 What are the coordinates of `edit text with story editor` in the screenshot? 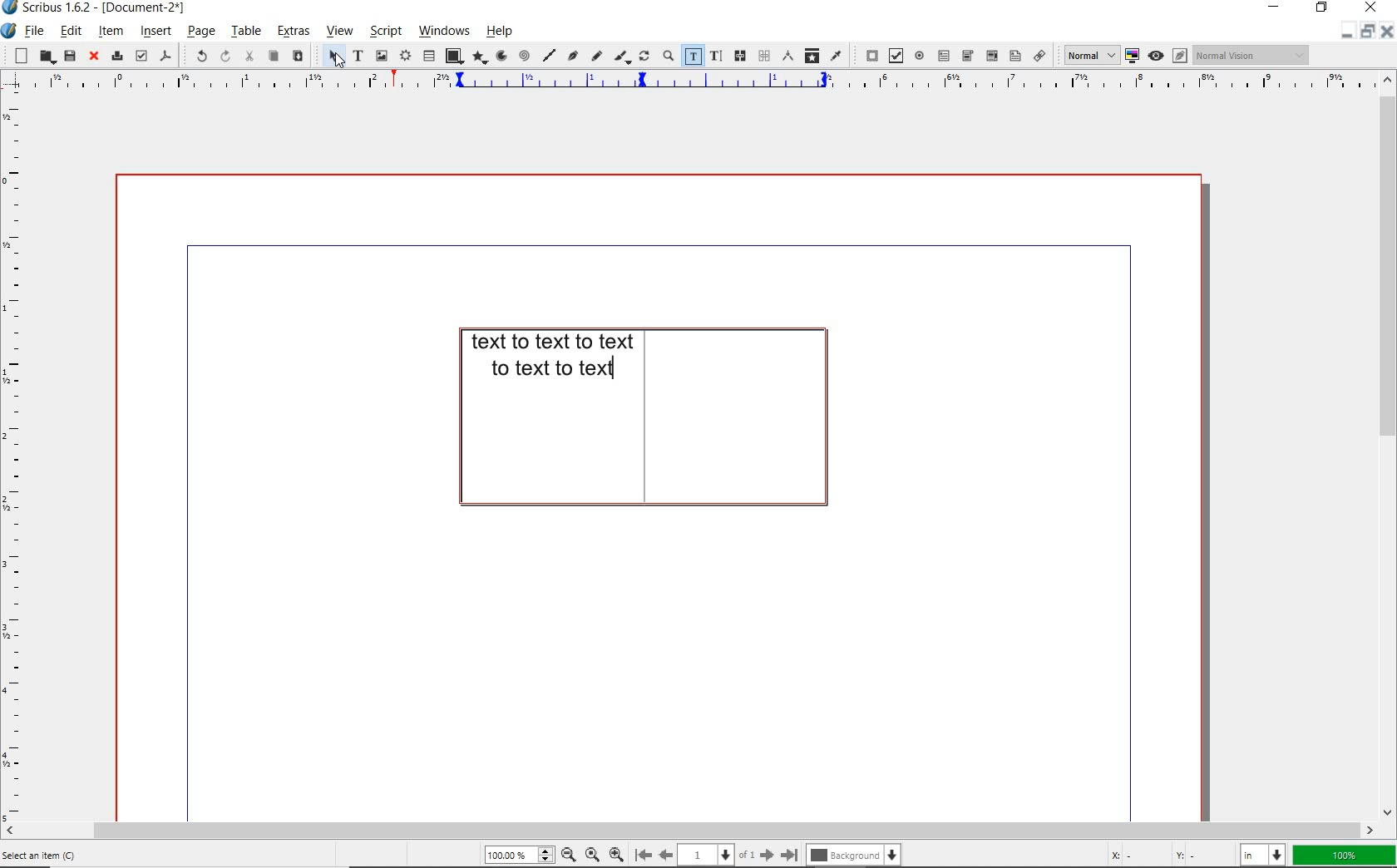 It's located at (715, 57).